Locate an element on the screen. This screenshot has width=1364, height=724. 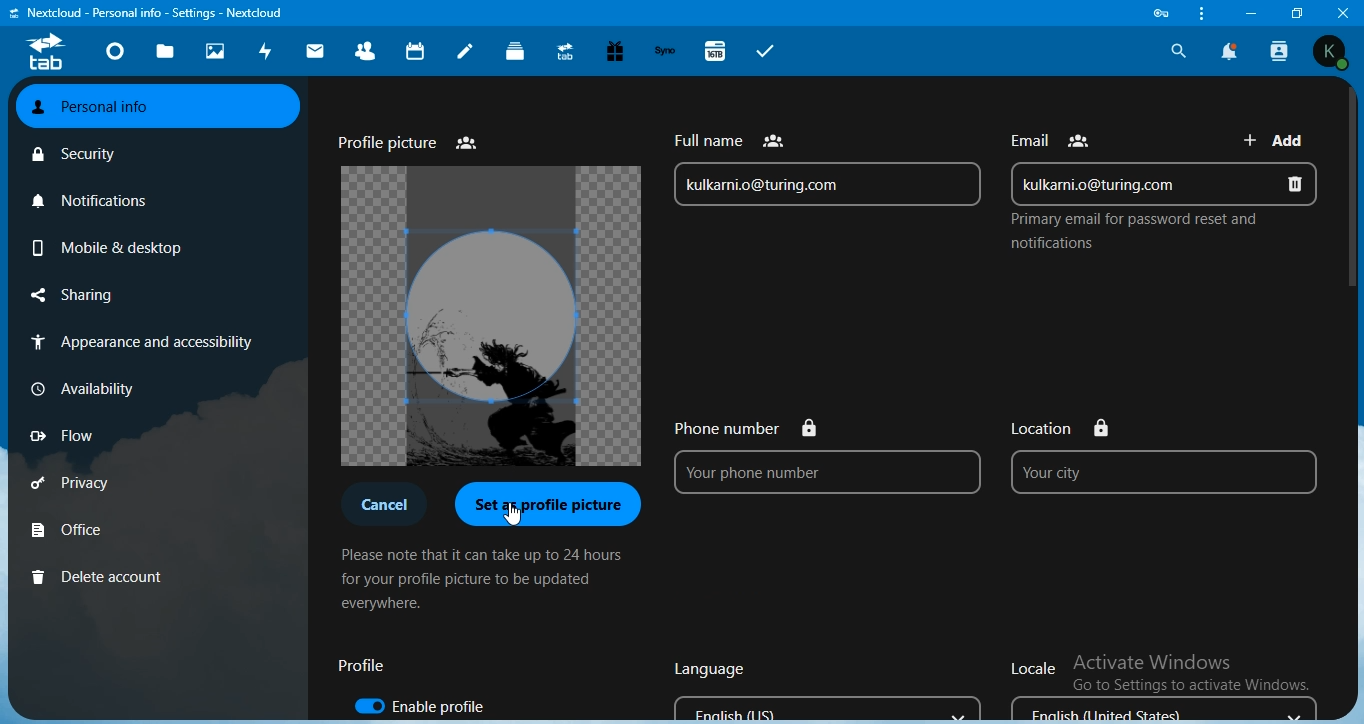
security is located at coordinates (76, 155).